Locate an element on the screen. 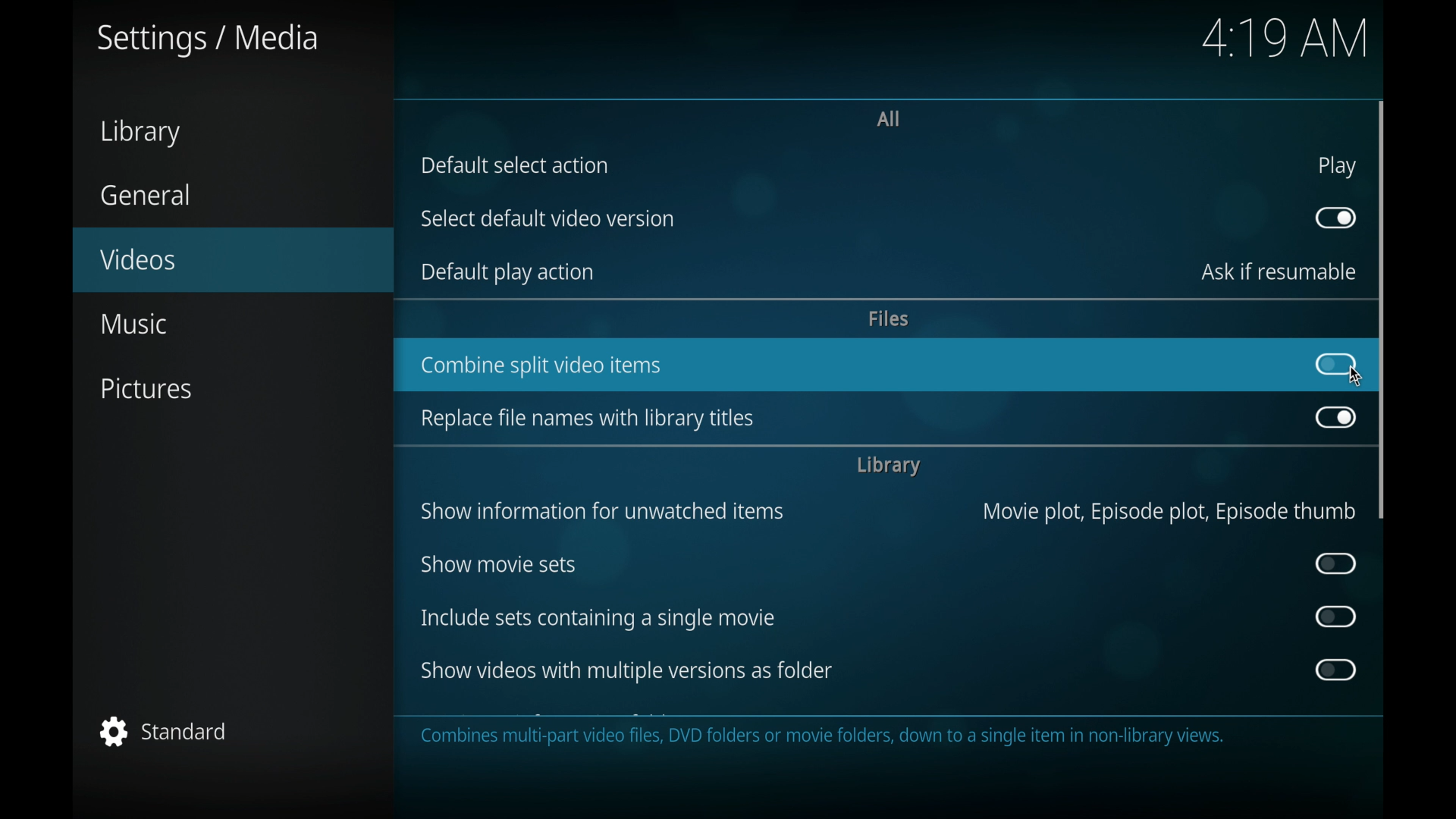 Image resolution: width=1456 pixels, height=819 pixels. toggle button is located at coordinates (1337, 617).